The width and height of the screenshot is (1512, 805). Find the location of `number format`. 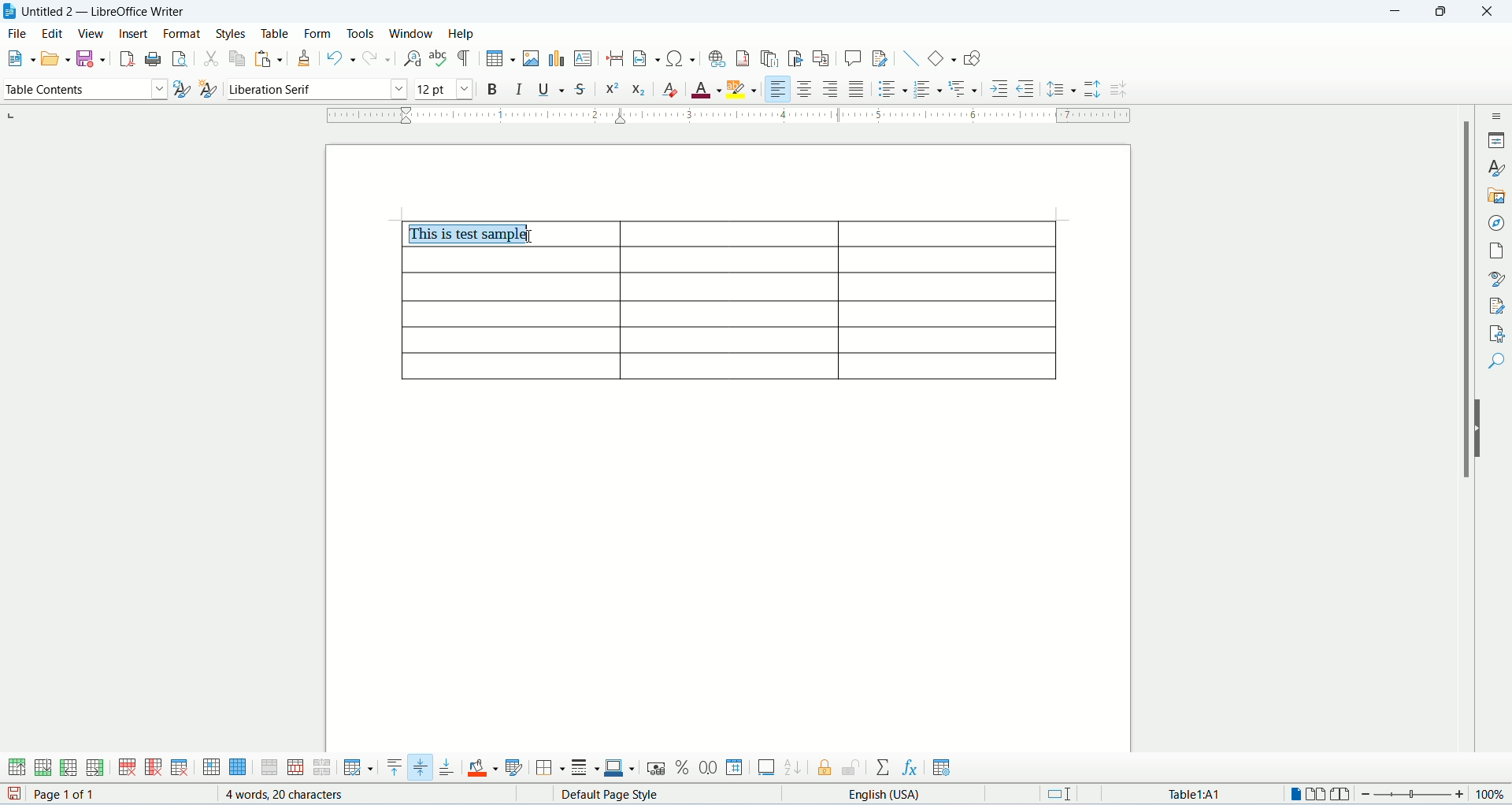

number format is located at coordinates (736, 768).